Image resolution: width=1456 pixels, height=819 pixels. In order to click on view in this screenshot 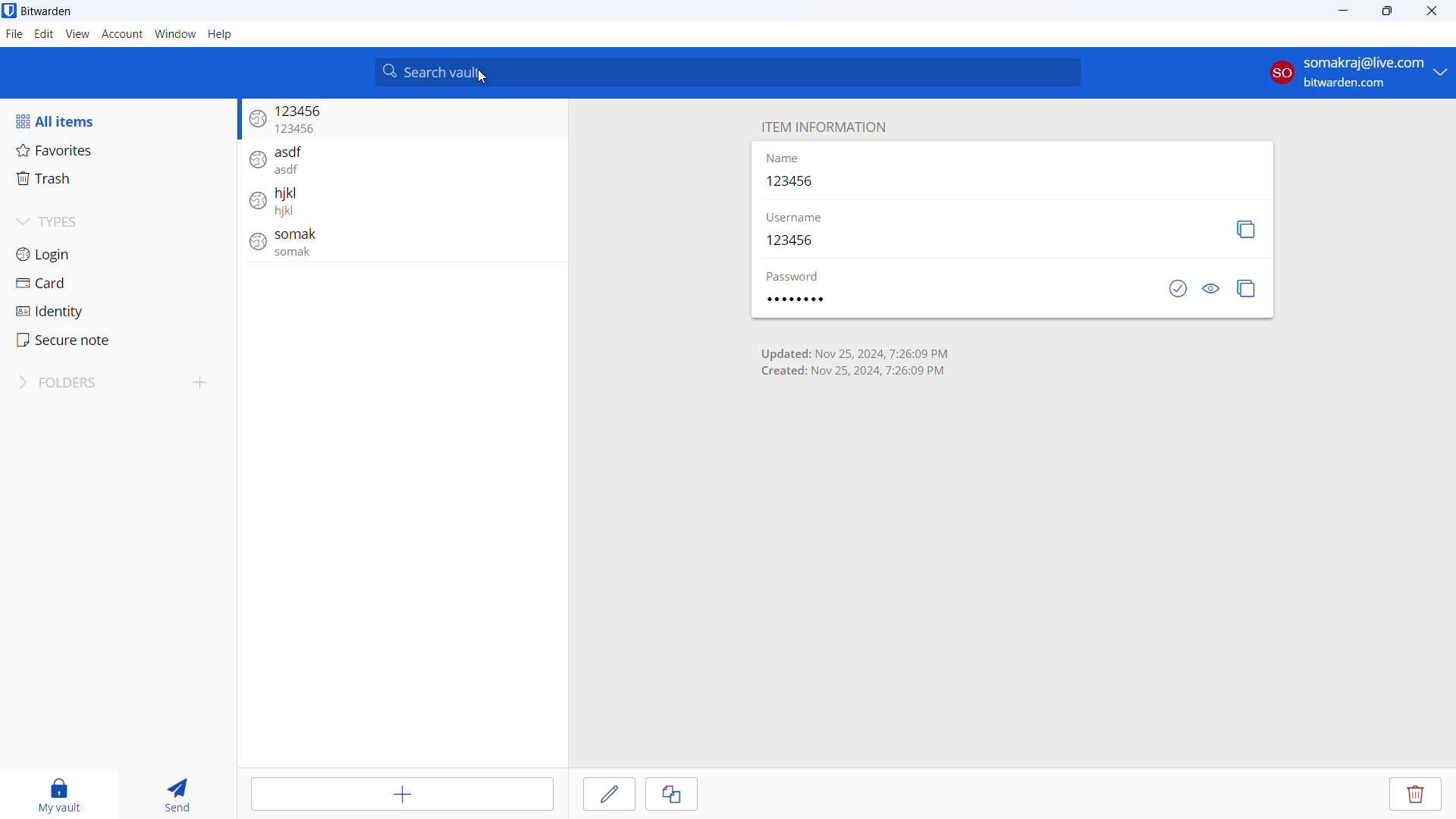, I will do `click(78, 34)`.